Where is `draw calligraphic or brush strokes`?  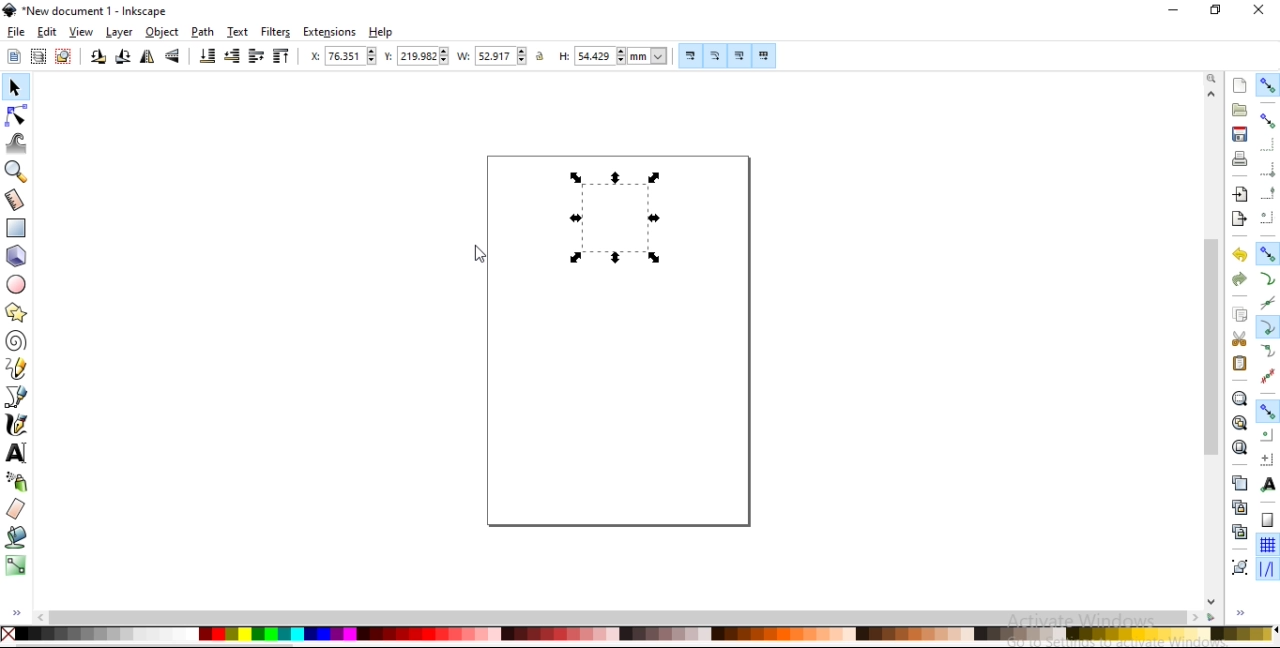 draw calligraphic or brush strokes is located at coordinates (18, 423).